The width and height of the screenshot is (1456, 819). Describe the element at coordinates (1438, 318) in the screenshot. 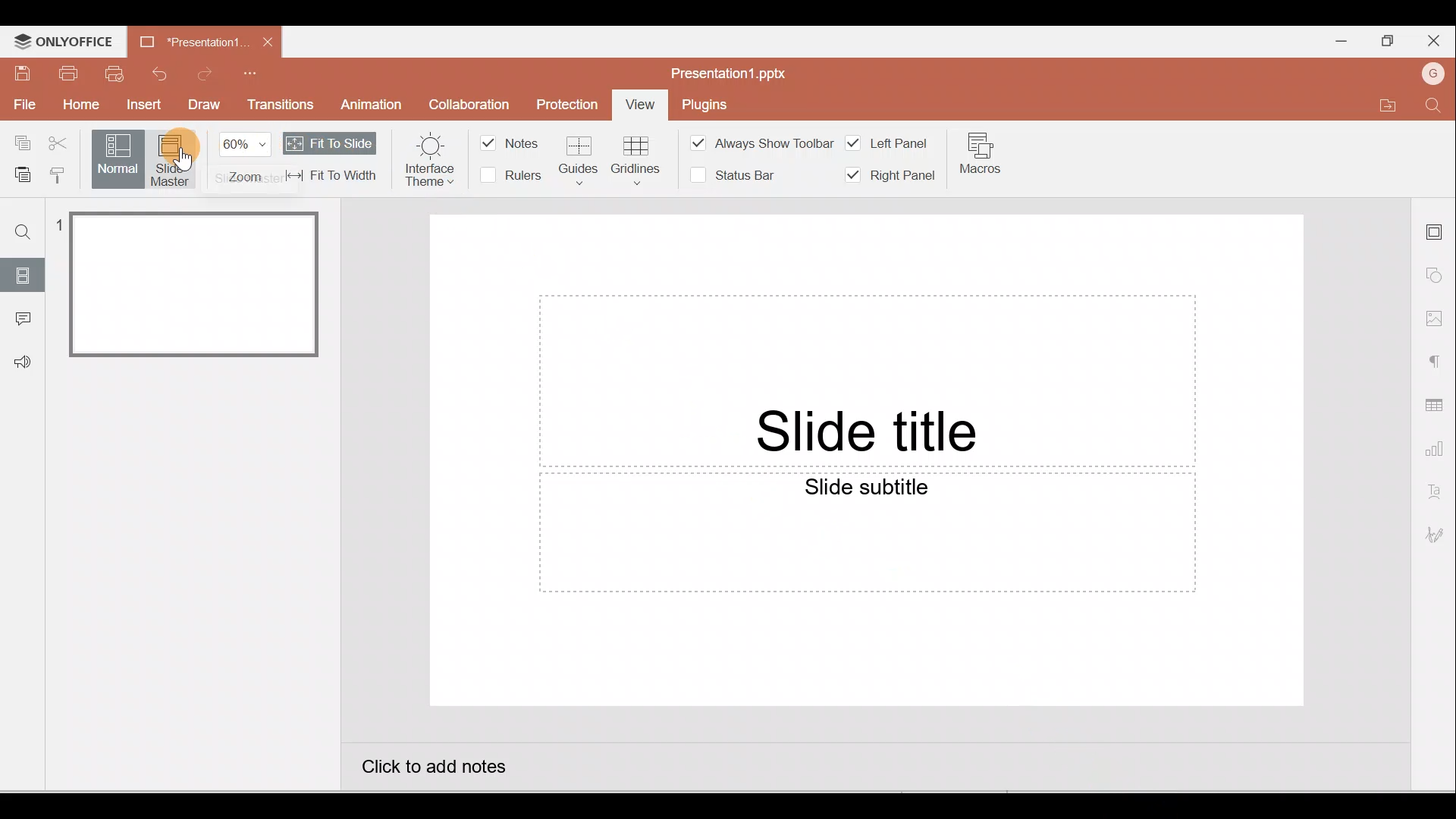

I see `Image settings` at that location.